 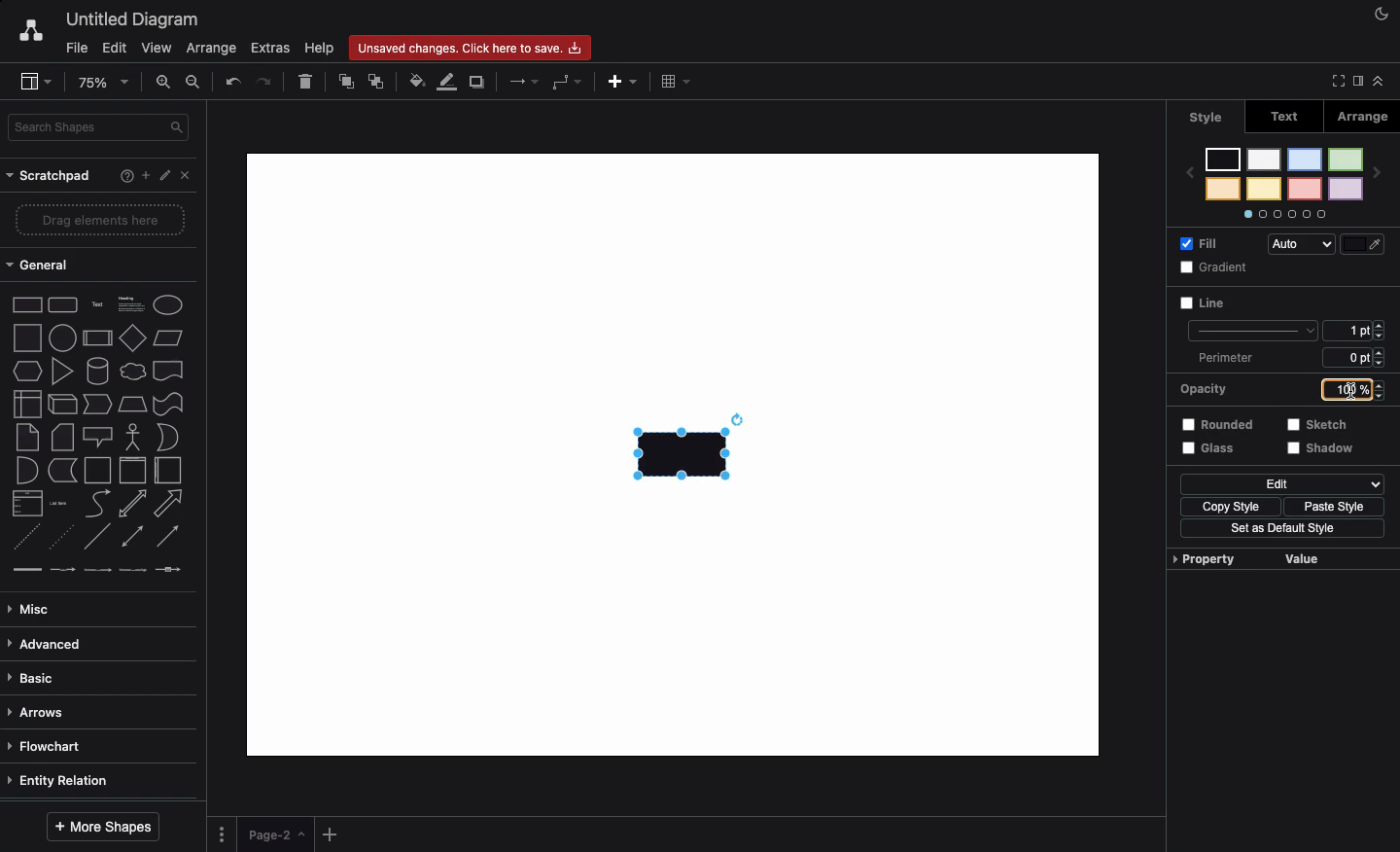 I want to click on Night mode, so click(x=1380, y=13).